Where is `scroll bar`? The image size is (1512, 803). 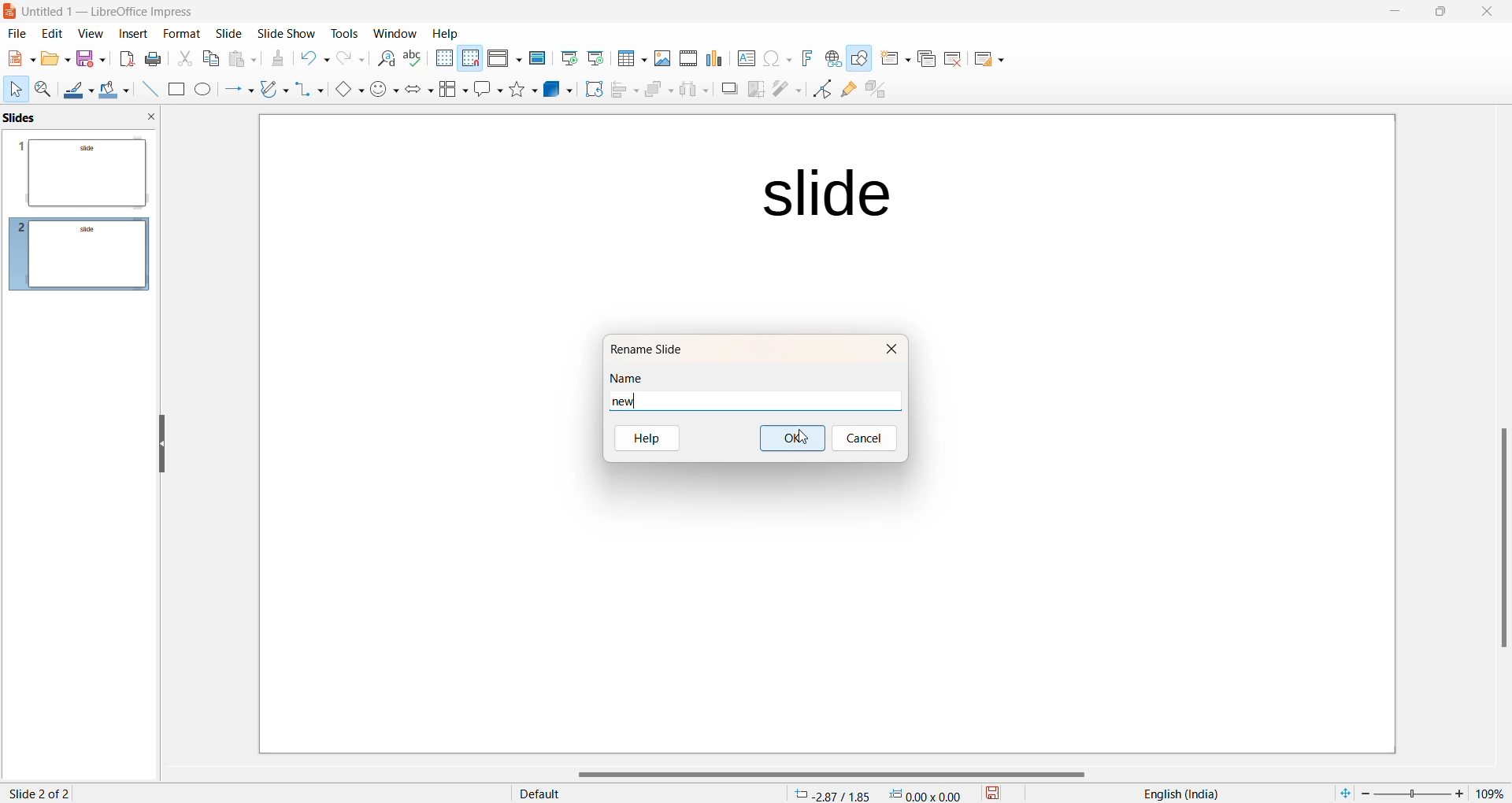
scroll bar is located at coordinates (1501, 540).